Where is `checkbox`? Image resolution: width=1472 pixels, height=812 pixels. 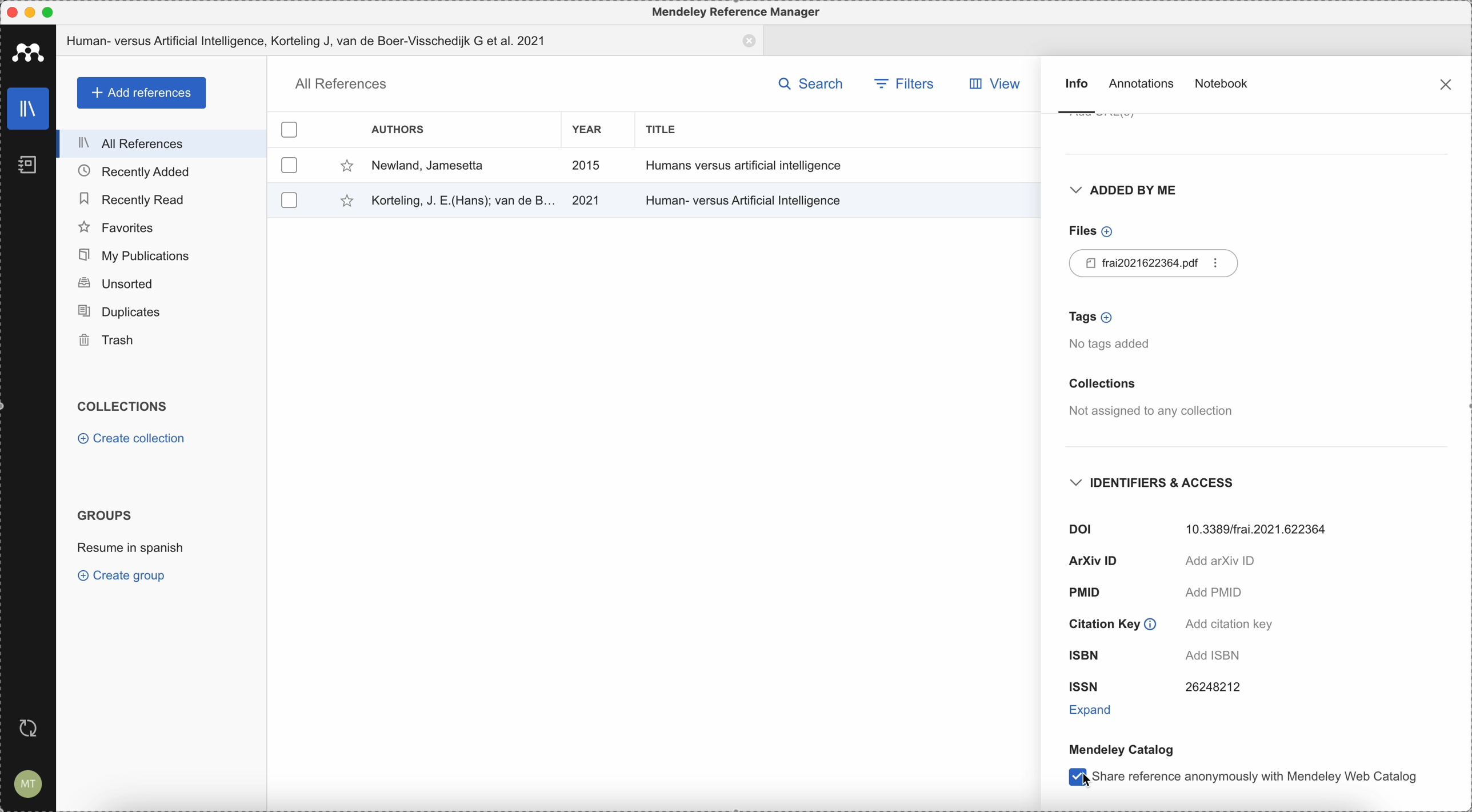 checkbox is located at coordinates (291, 127).